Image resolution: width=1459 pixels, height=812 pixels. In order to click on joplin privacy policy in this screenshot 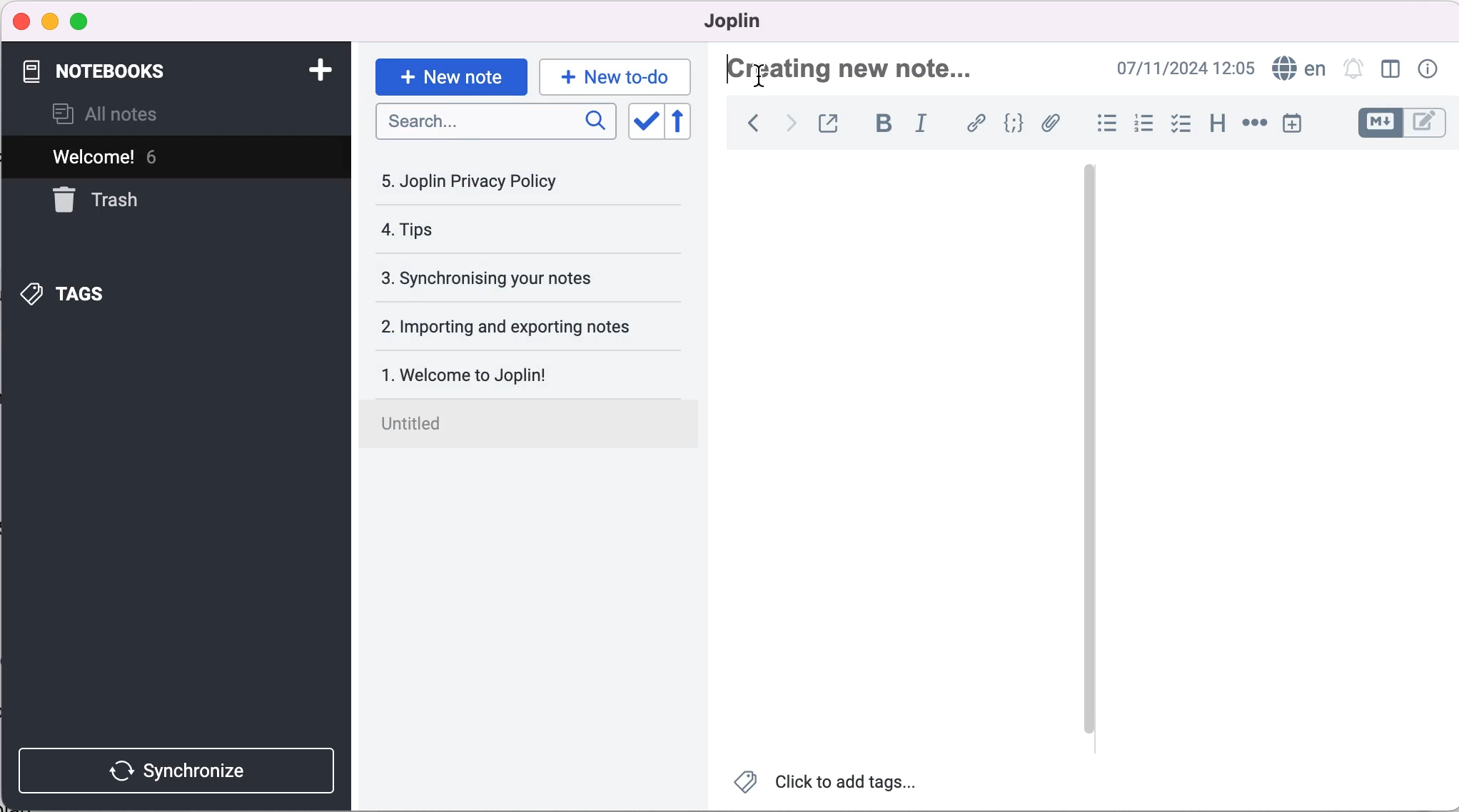, I will do `click(479, 181)`.